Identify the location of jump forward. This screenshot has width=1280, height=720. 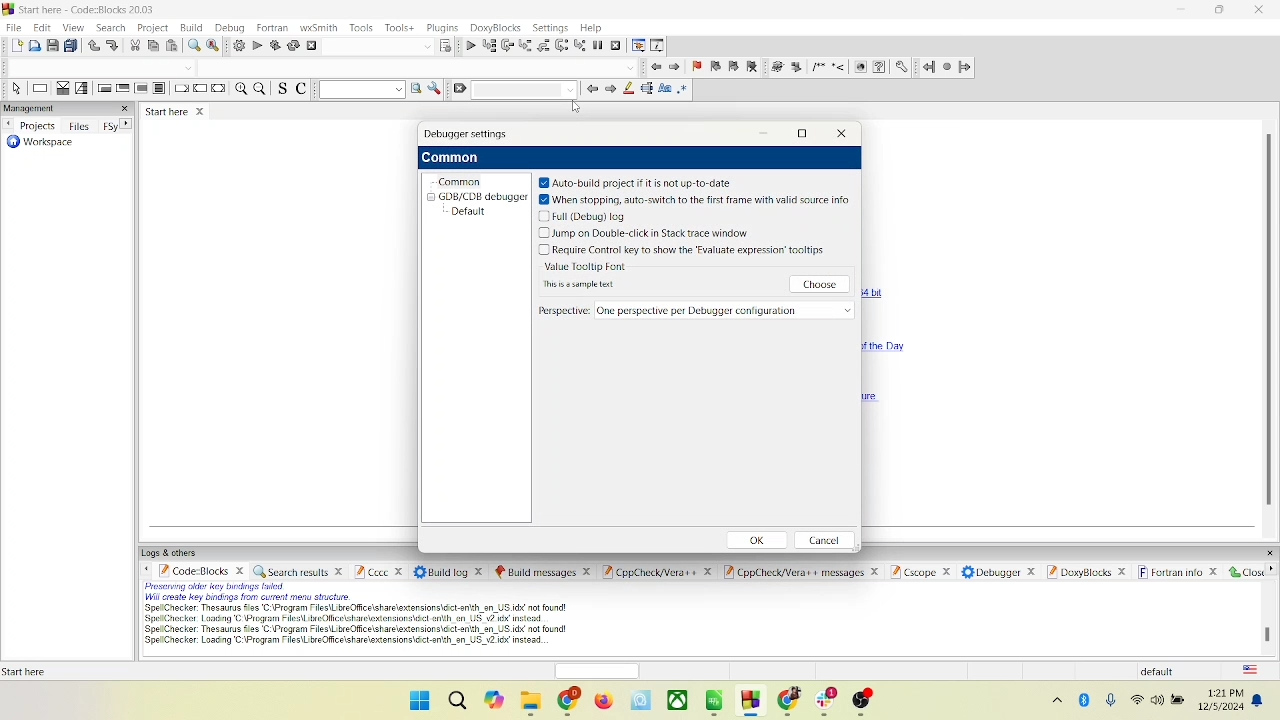
(967, 67).